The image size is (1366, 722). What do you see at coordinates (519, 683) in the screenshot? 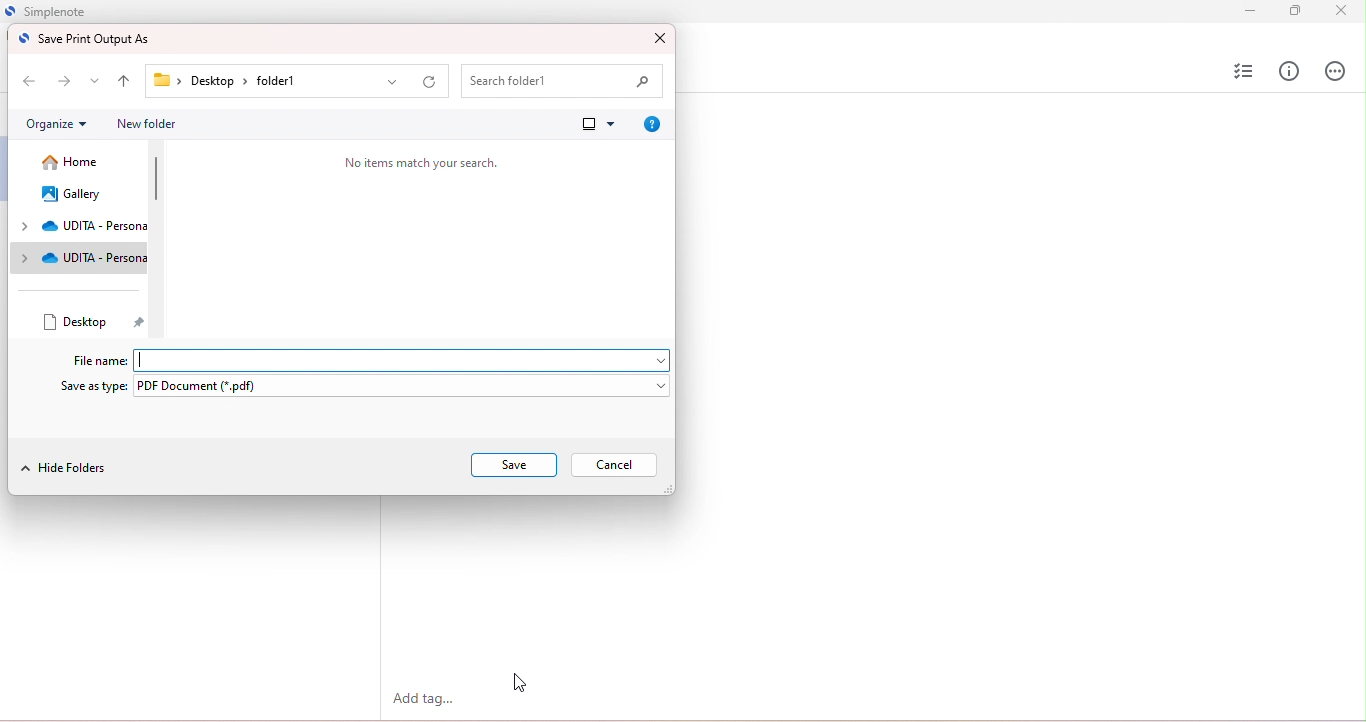
I see `cursor movement` at bounding box center [519, 683].